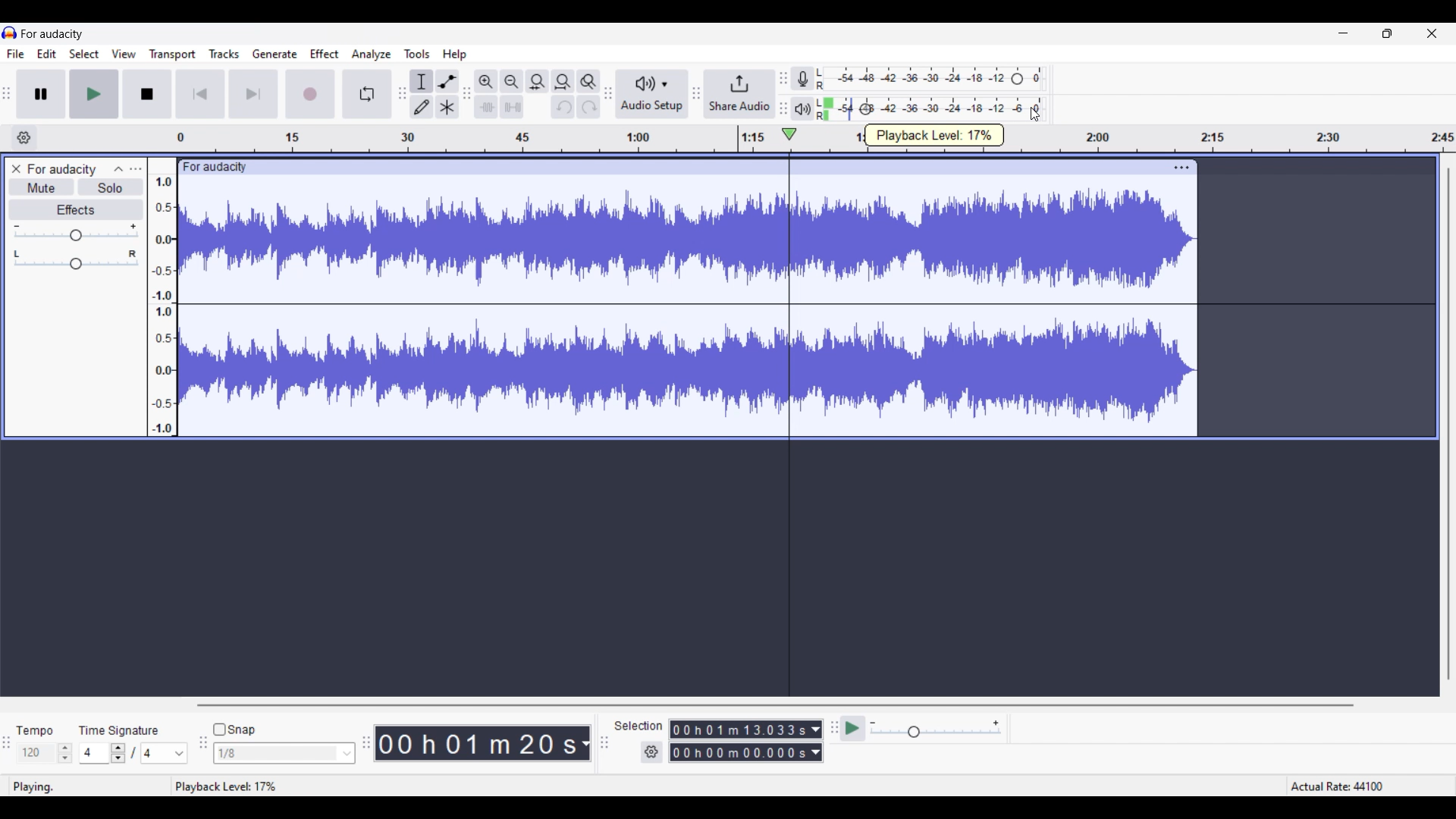 Image resolution: width=1456 pixels, height=819 pixels. What do you see at coordinates (76, 231) in the screenshot?
I see `Volume slider` at bounding box center [76, 231].